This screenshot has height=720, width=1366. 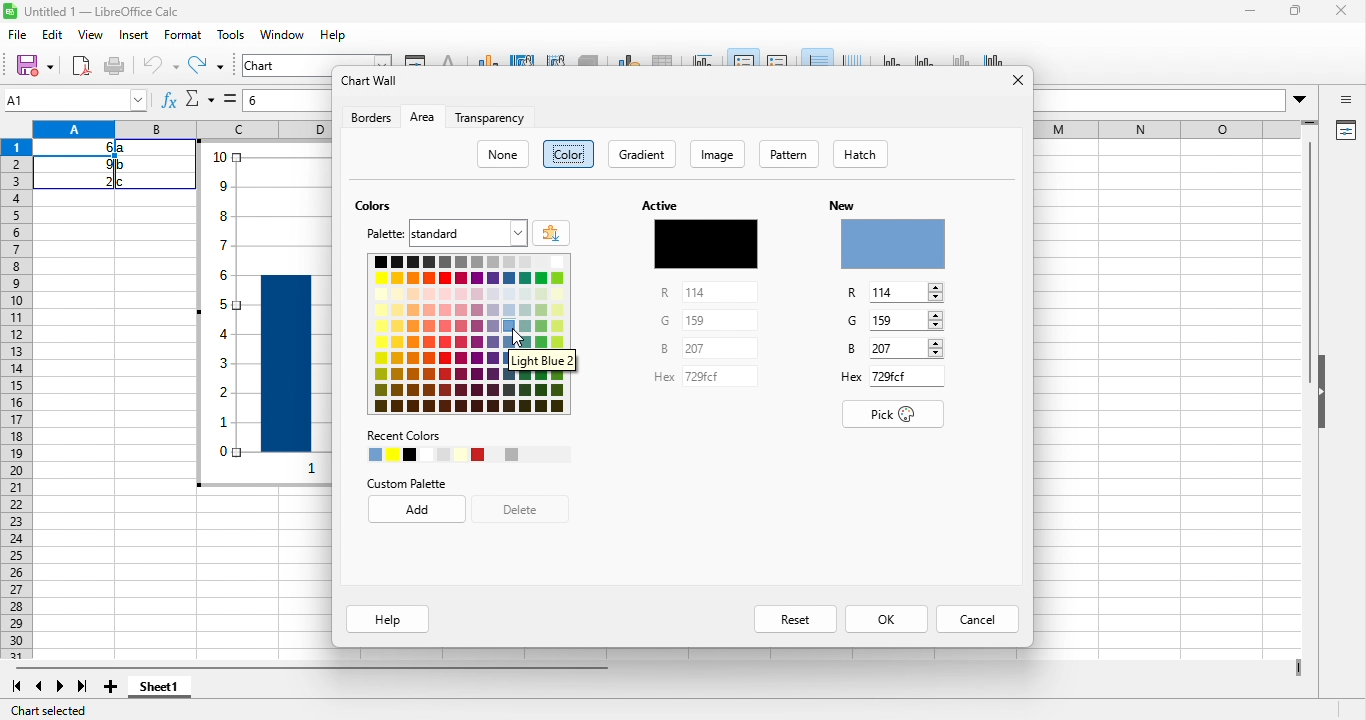 I want to click on 297, so click(x=696, y=348).